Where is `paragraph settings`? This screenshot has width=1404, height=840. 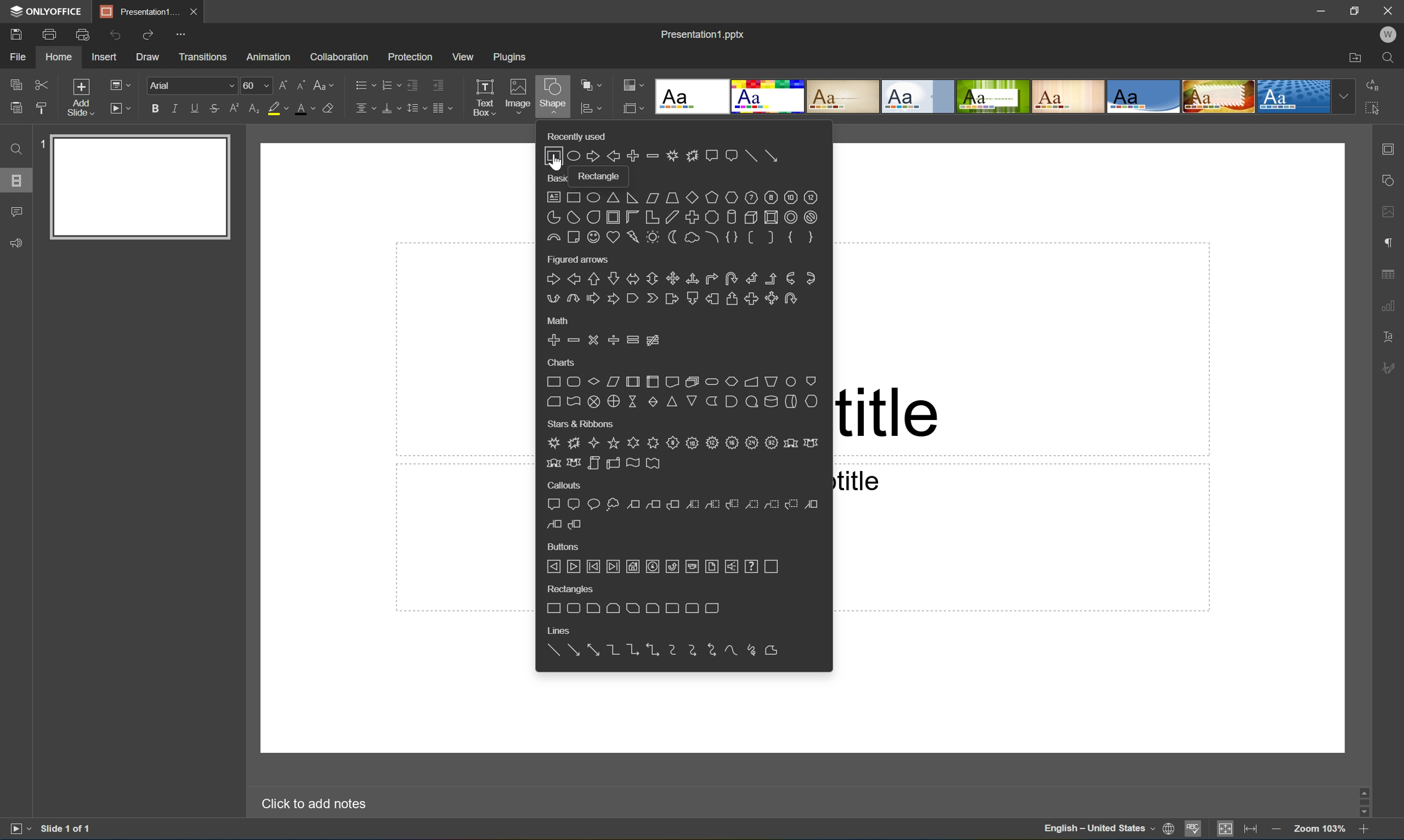 paragraph settings is located at coordinates (1389, 242).